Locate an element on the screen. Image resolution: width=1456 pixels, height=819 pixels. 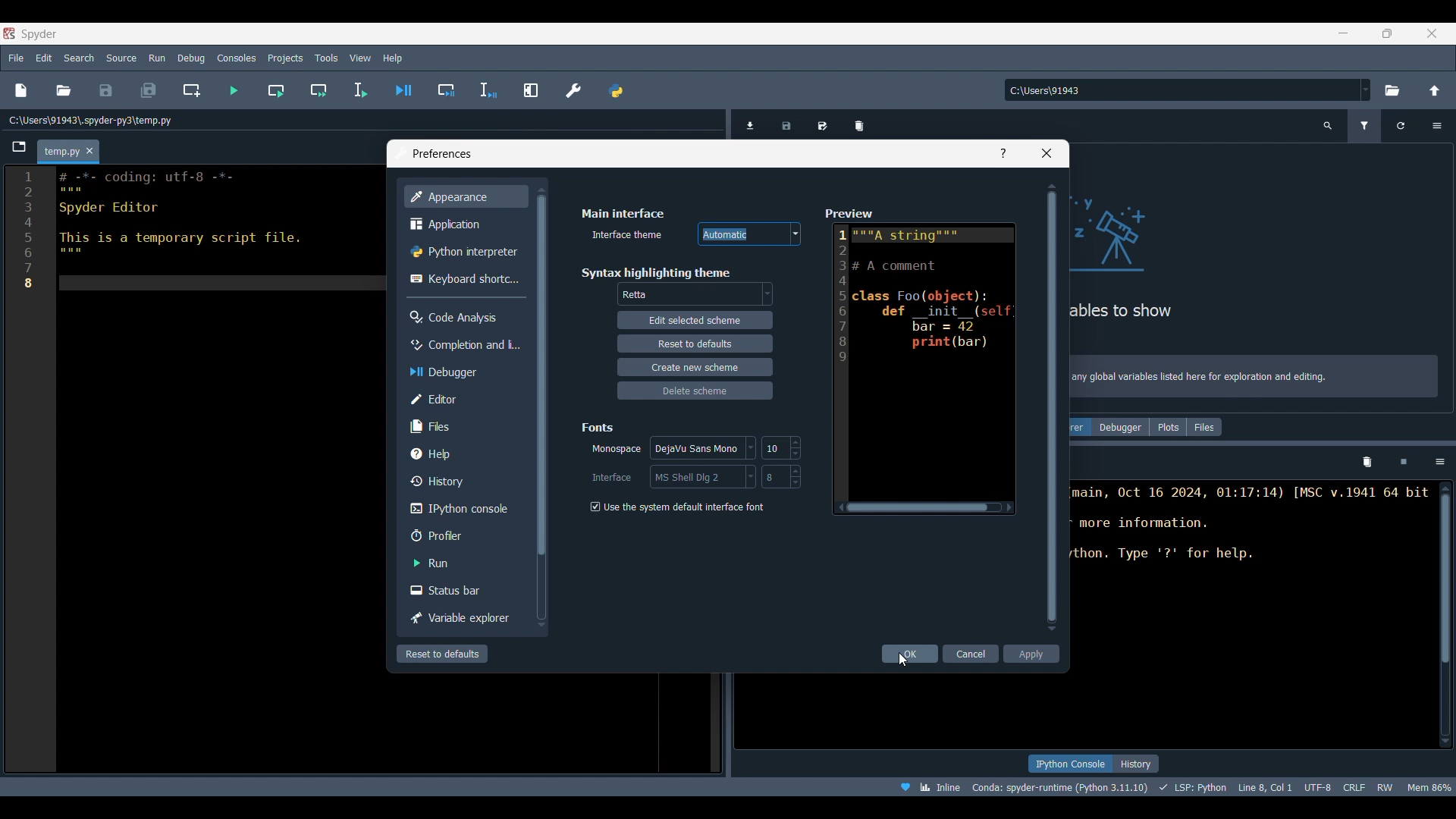
scroll bar is located at coordinates (1442, 613).